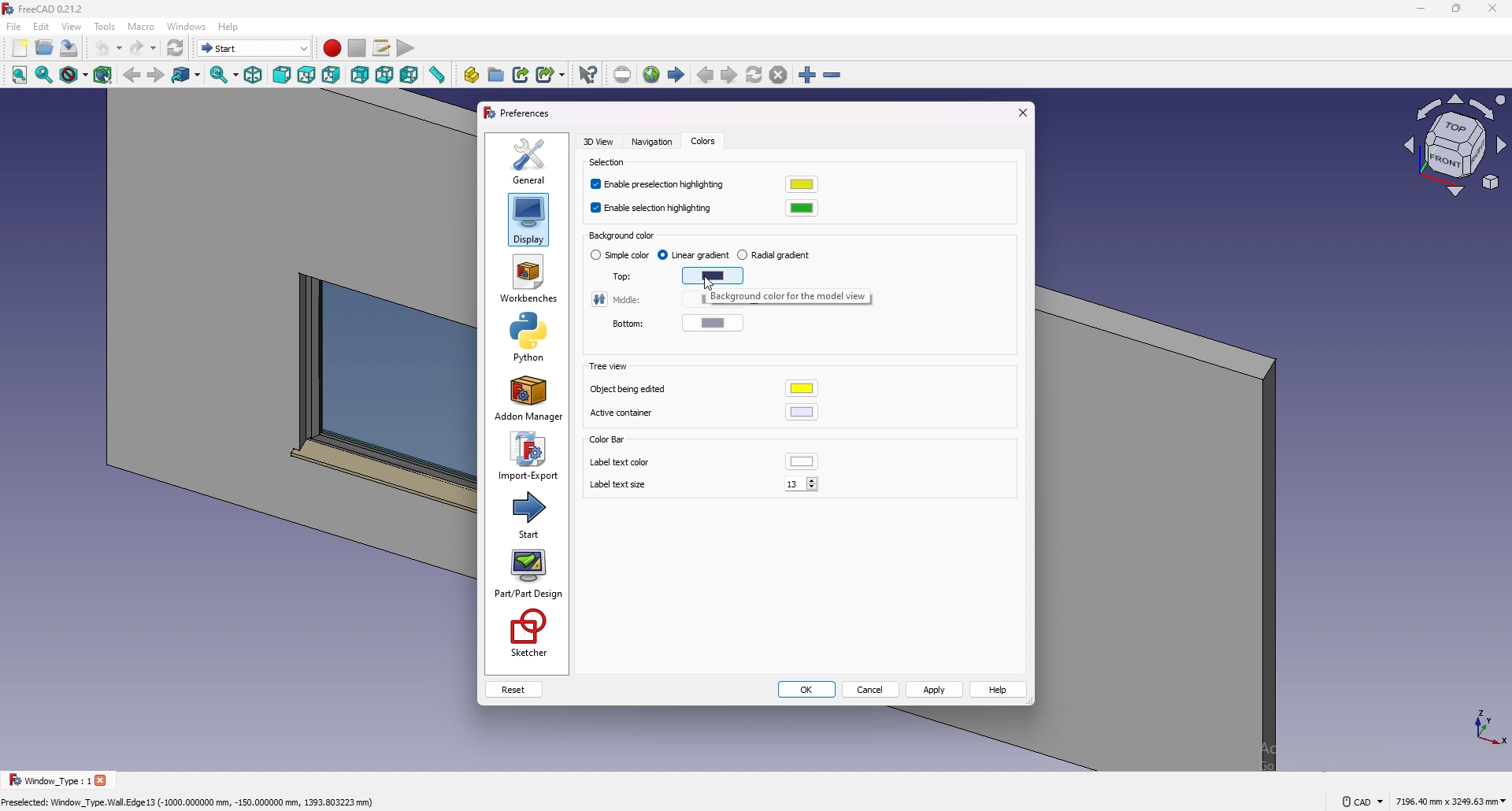  I want to click on import export, so click(528, 456).